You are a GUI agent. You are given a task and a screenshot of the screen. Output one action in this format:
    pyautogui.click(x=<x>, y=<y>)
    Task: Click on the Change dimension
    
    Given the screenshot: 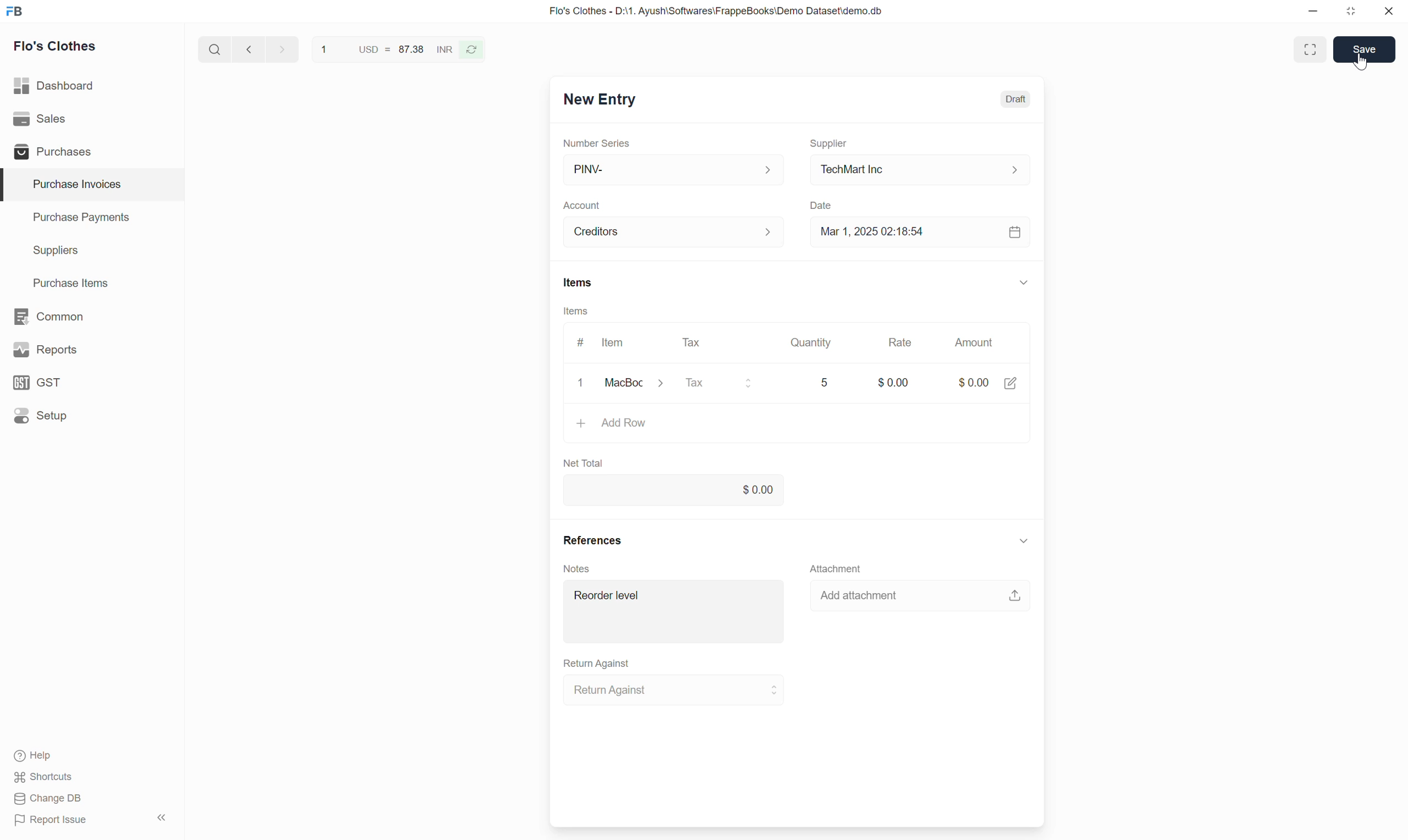 What is the action you would take?
    pyautogui.click(x=1351, y=11)
    